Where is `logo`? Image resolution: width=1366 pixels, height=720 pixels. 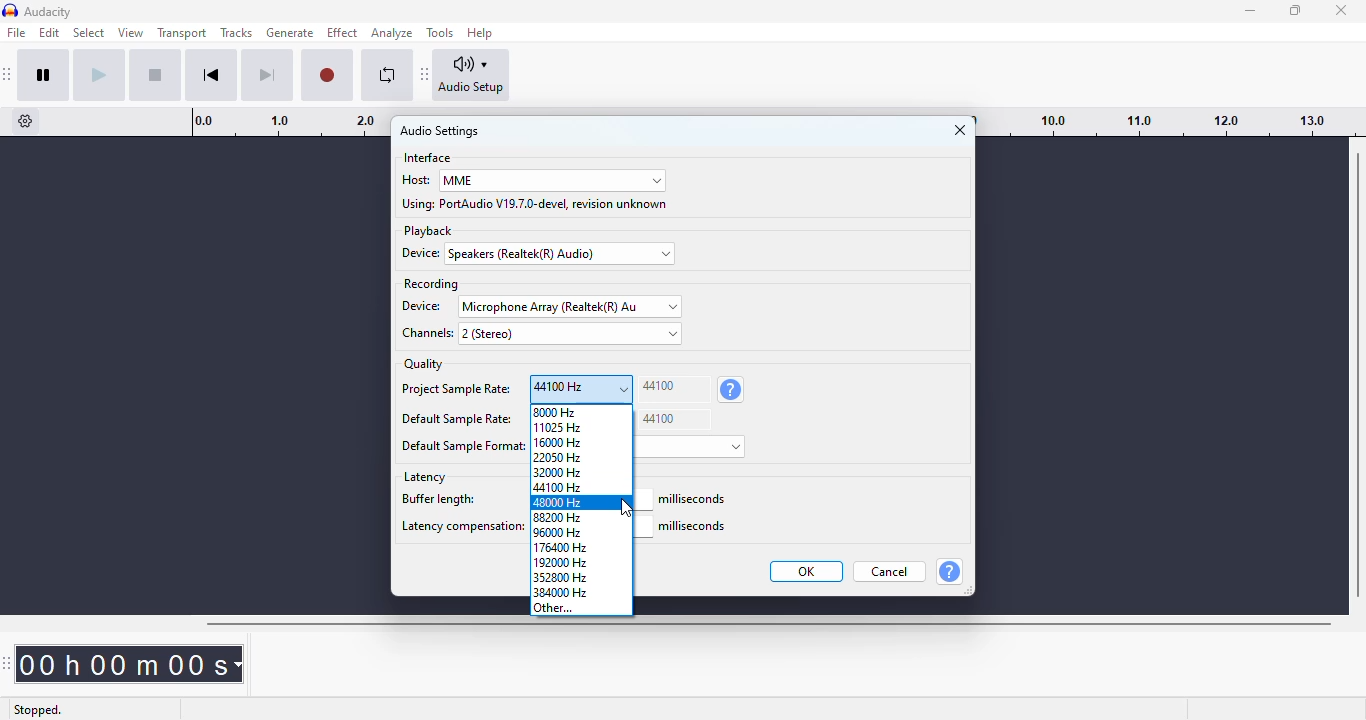 logo is located at coordinates (10, 11).